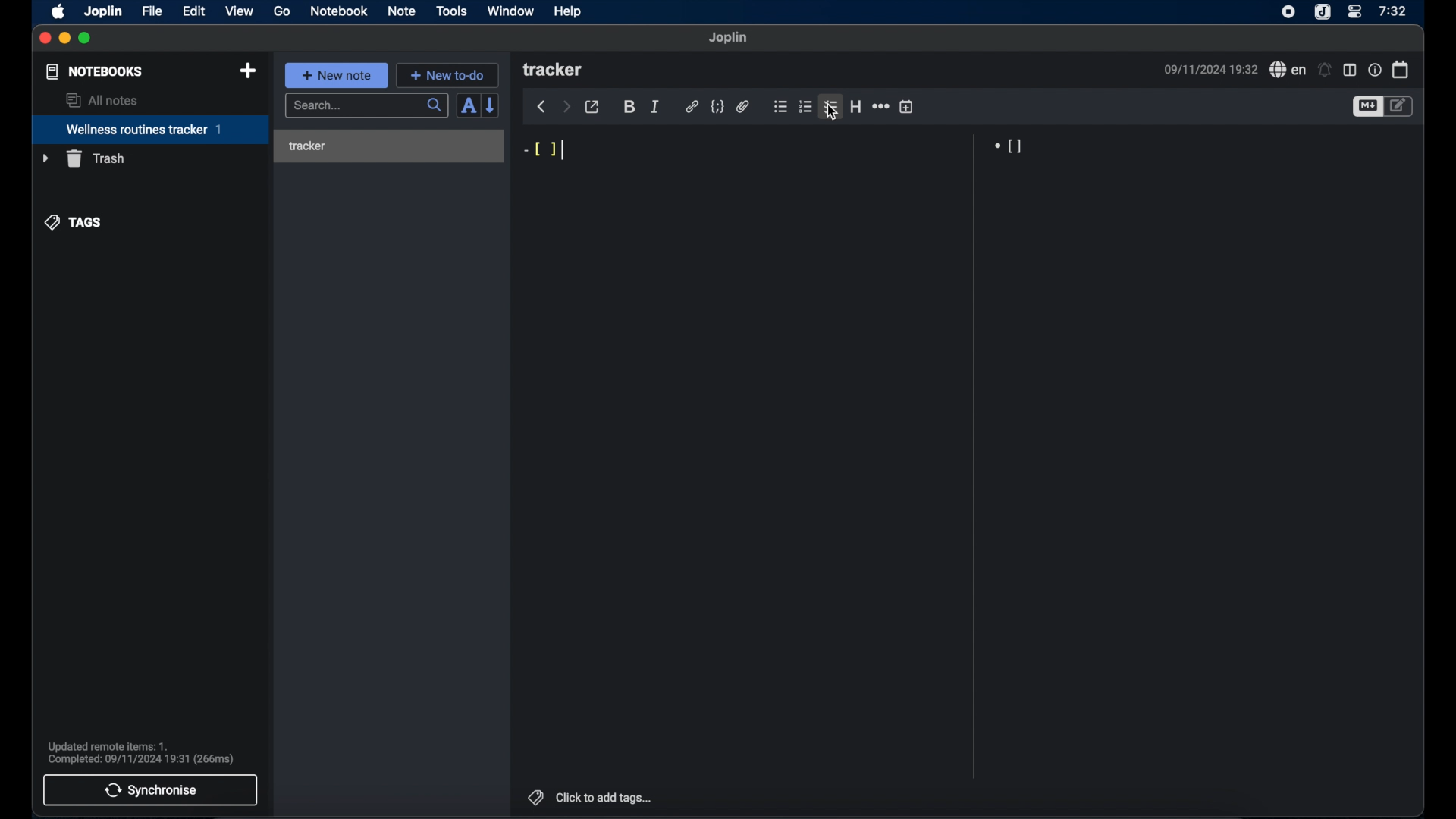  What do you see at coordinates (1288, 11) in the screenshot?
I see `screen recorder` at bounding box center [1288, 11].